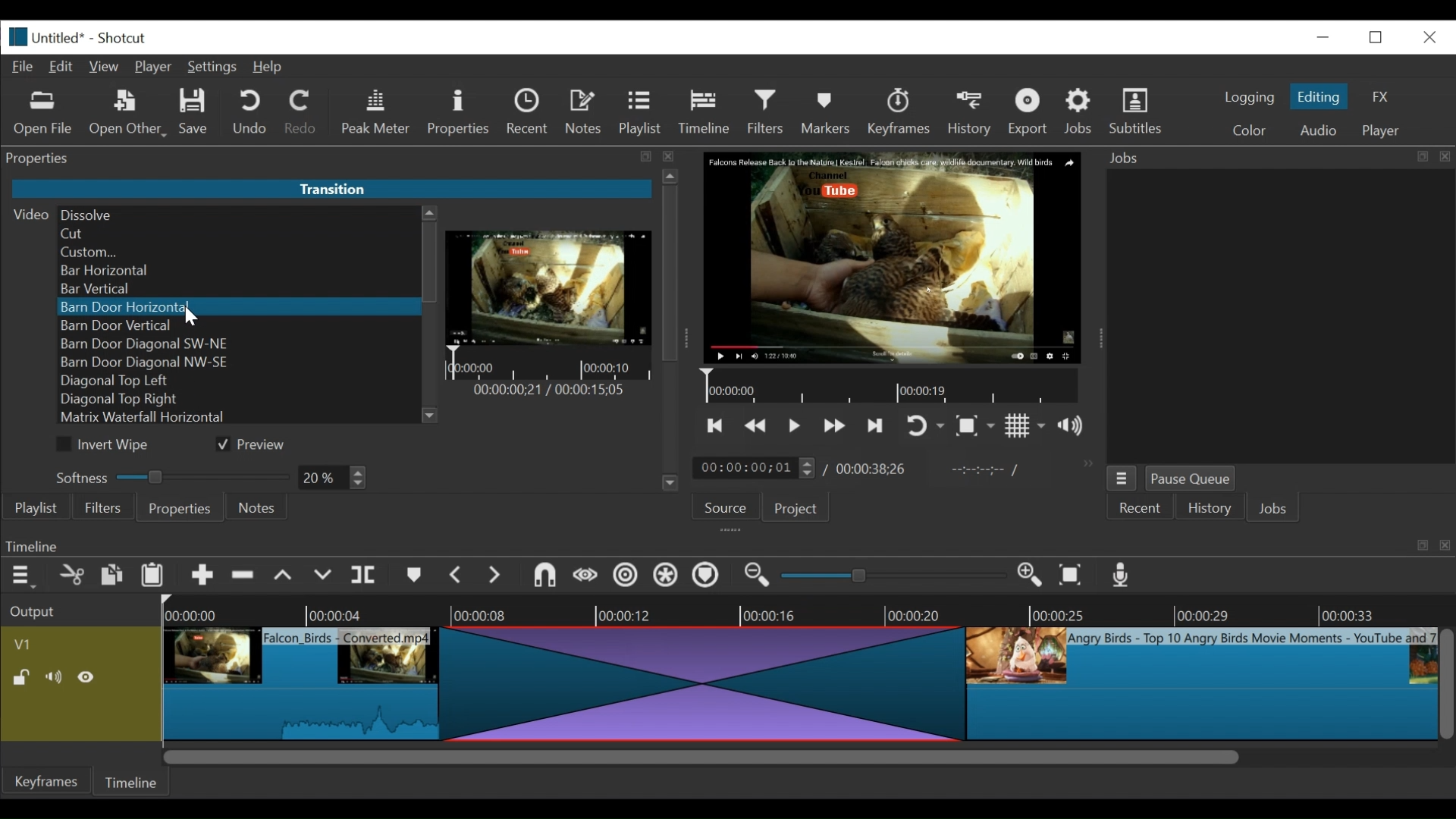 Image resolution: width=1456 pixels, height=819 pixels. I want to click on minimize, so click(1323, 36).